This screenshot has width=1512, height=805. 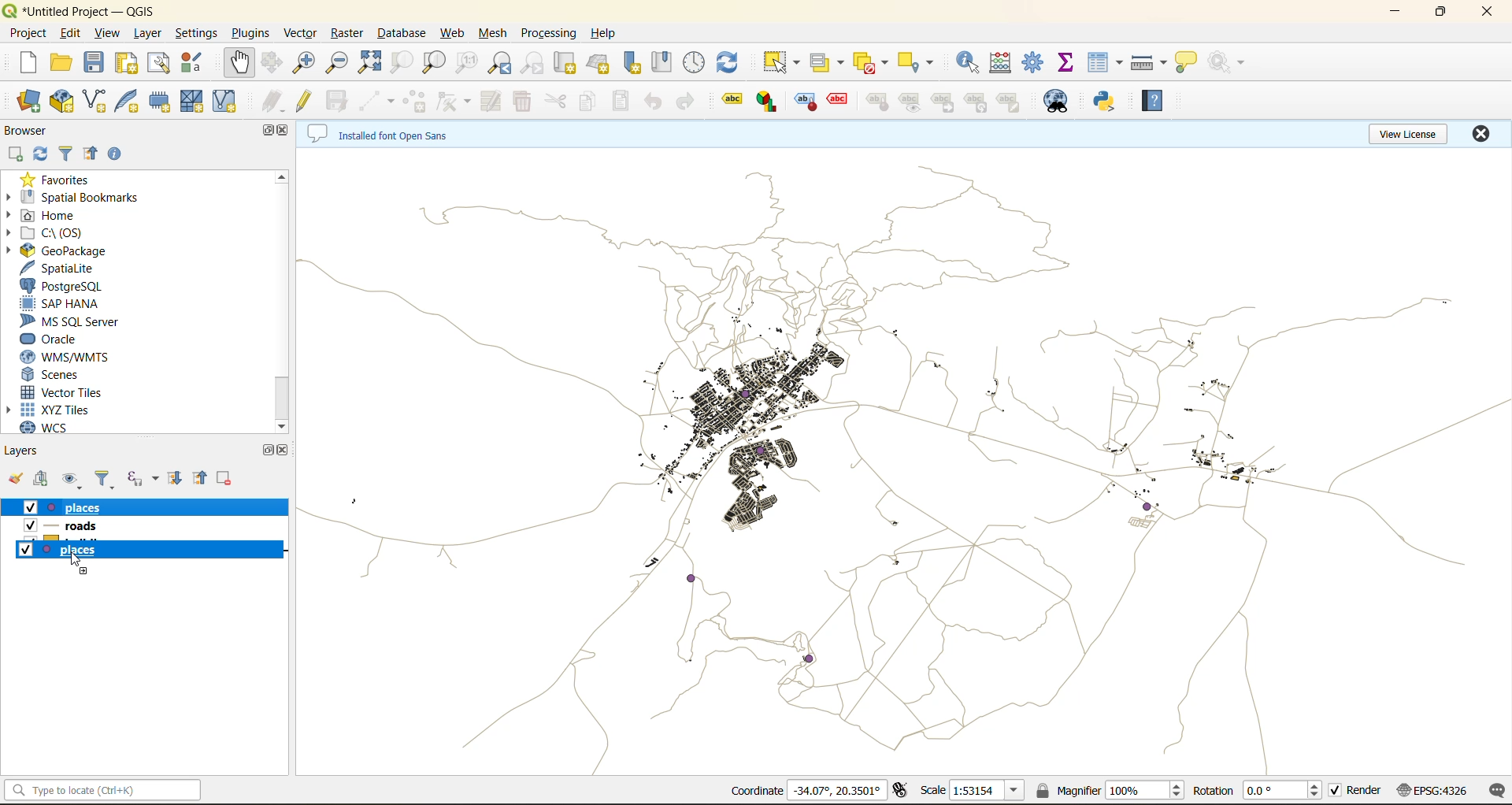 I want to click on raster, so click(x=345, y=34).